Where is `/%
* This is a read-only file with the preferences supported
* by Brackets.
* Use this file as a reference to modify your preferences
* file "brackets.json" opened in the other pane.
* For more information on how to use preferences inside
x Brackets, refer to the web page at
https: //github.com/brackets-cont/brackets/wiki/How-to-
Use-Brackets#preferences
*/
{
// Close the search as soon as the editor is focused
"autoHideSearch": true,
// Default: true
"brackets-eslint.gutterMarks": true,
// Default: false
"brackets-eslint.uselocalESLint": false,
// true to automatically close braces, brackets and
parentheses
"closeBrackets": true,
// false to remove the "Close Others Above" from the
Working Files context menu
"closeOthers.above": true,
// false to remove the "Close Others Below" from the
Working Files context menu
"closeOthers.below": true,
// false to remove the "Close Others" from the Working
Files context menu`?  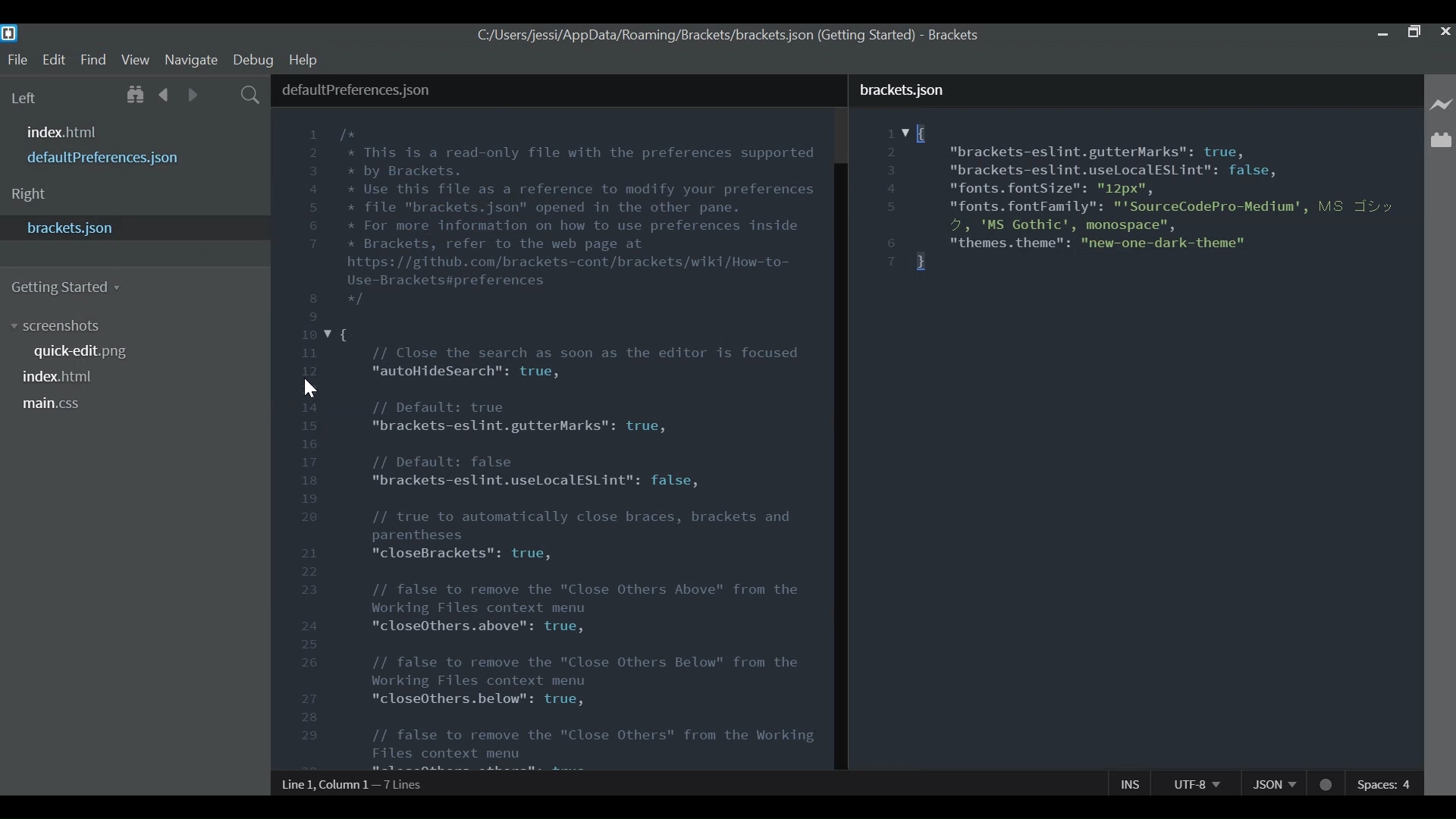
/%
* This is a read-only file with the preferences supported
* by Brackets.
* Use this file as a reference to modify your preferences
* file "brackets.json" opened in the other pane.
* For more information on how to use preferences inside
x Brackets, refer to the web page at
https: //github.com/brackets-cont/brackets/wiki/How-to-
Use-Brackets#preferences
*/
{
// Close the search as soon as the editor is focused
"autoHideSearch": true,
// Default: true
"brackets-eslint.gutterMarks": true,
// Default: false
"brackets-eslint.uselocalESLint": false,
// true to automatically close braces, brackets and
parentheses
"closeBrackets": true,
// false to remove the "Close Others Above" from the
Working Files context menu
"closeOthers.above": true,
// false to remove the "Close Others Below" from the
Working Files context menu
"closeOthers.below": true,
// false to remove the "Close Others" from the Working
Files context menu is located at coordinates (581, 446).